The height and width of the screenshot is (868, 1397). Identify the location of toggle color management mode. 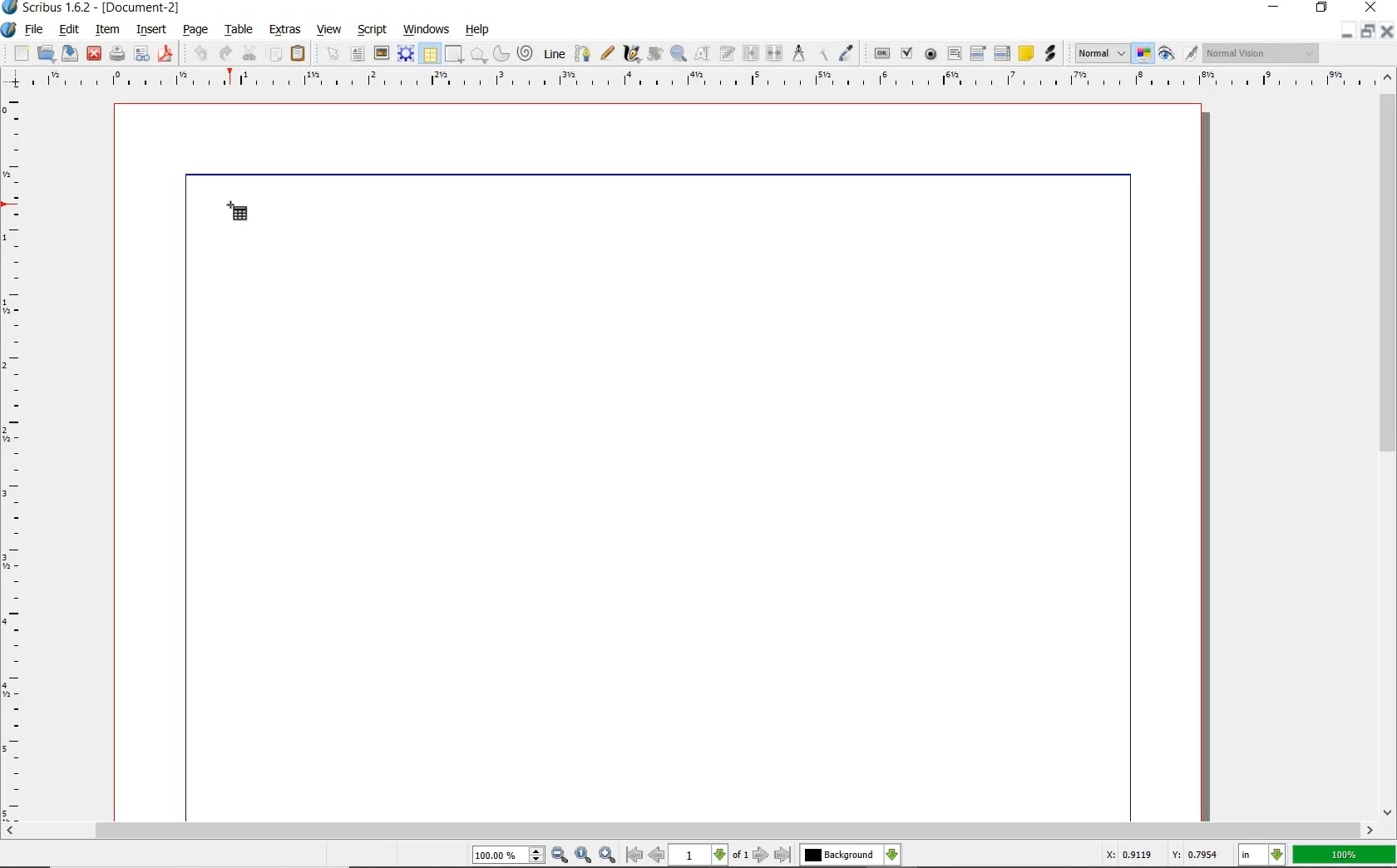
(1142, 53).